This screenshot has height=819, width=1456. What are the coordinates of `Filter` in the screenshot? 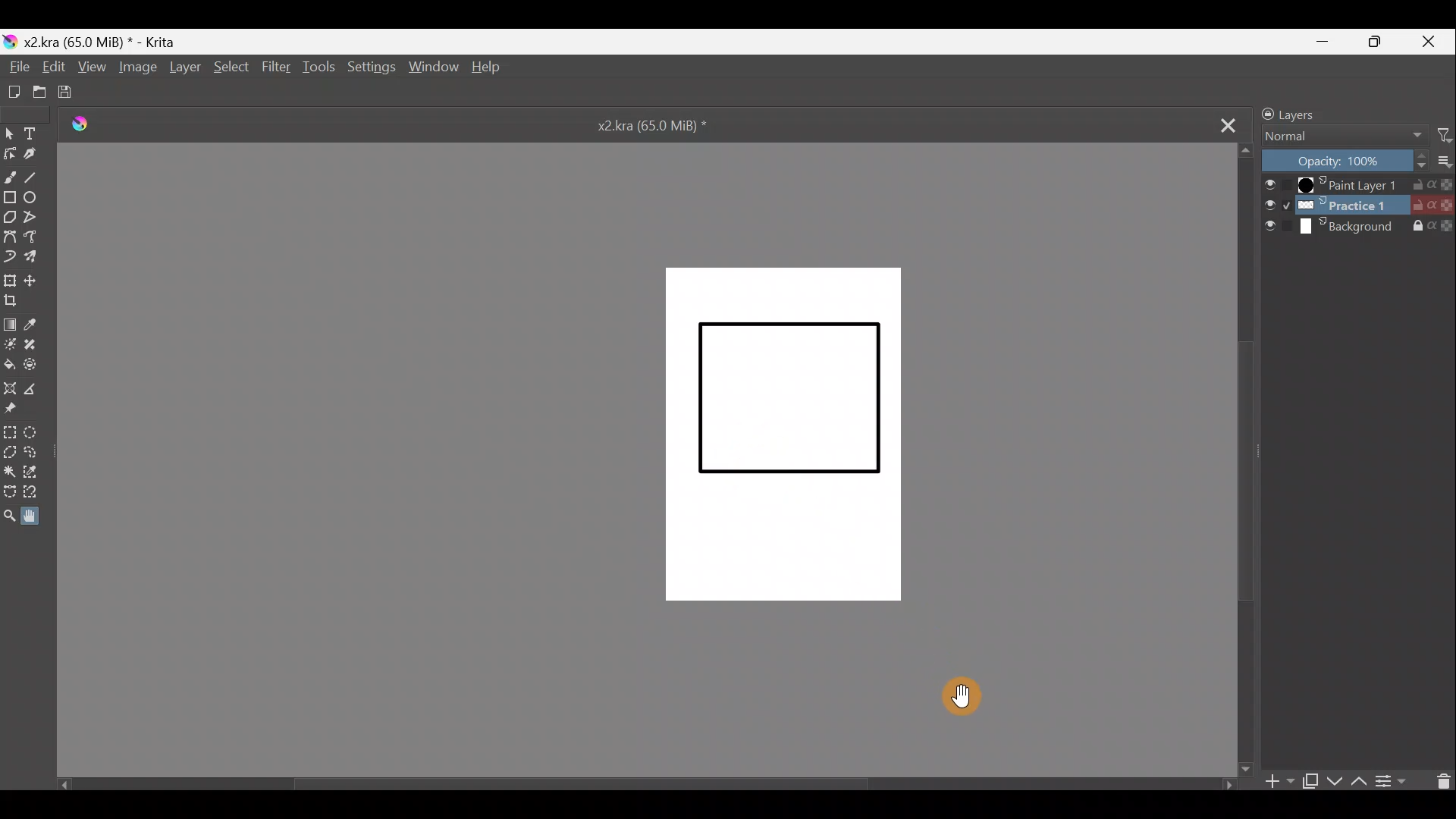 It's located at (275, 68).